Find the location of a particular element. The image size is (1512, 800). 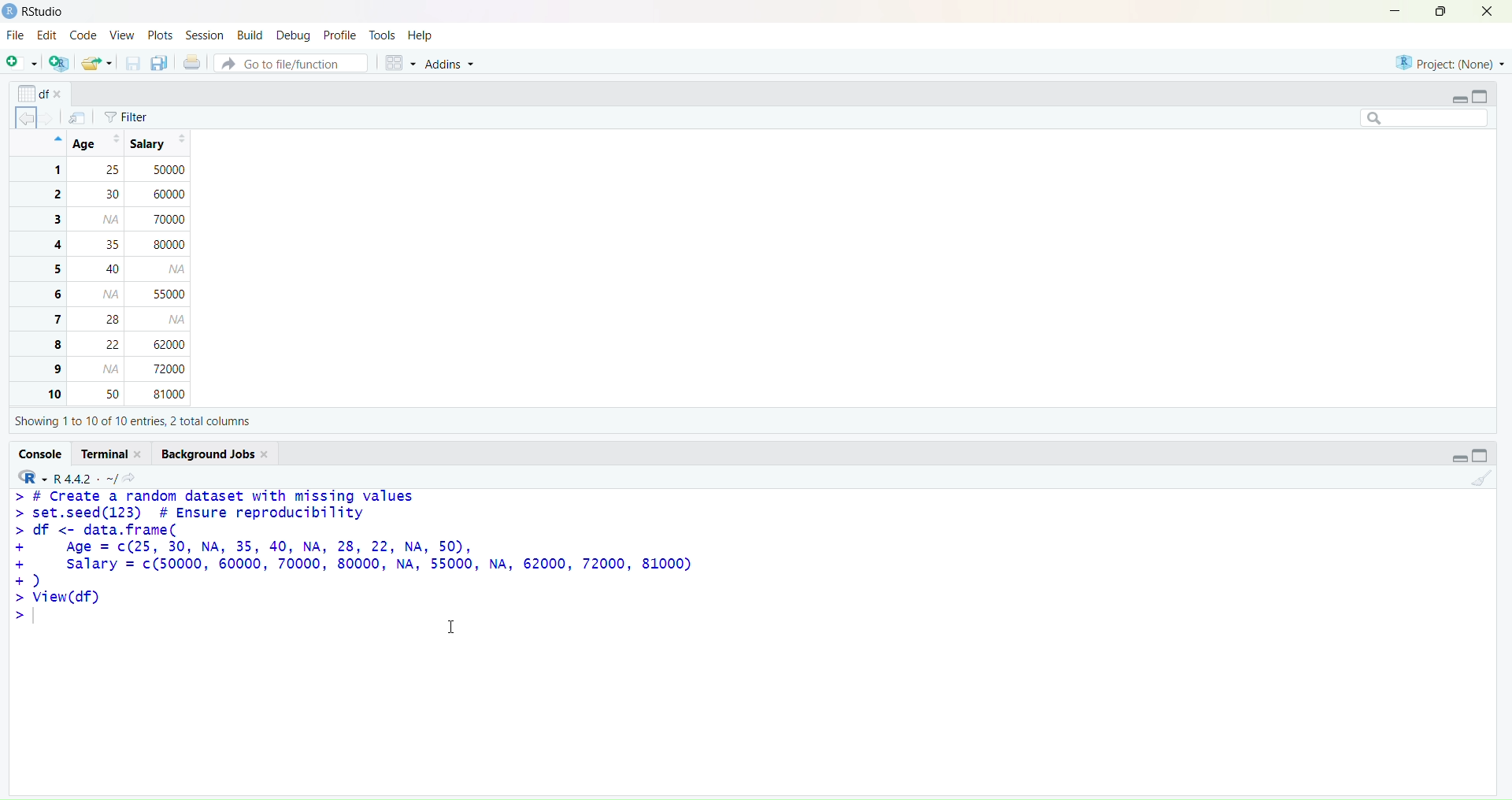

addins is located at coordinates (454, 67).